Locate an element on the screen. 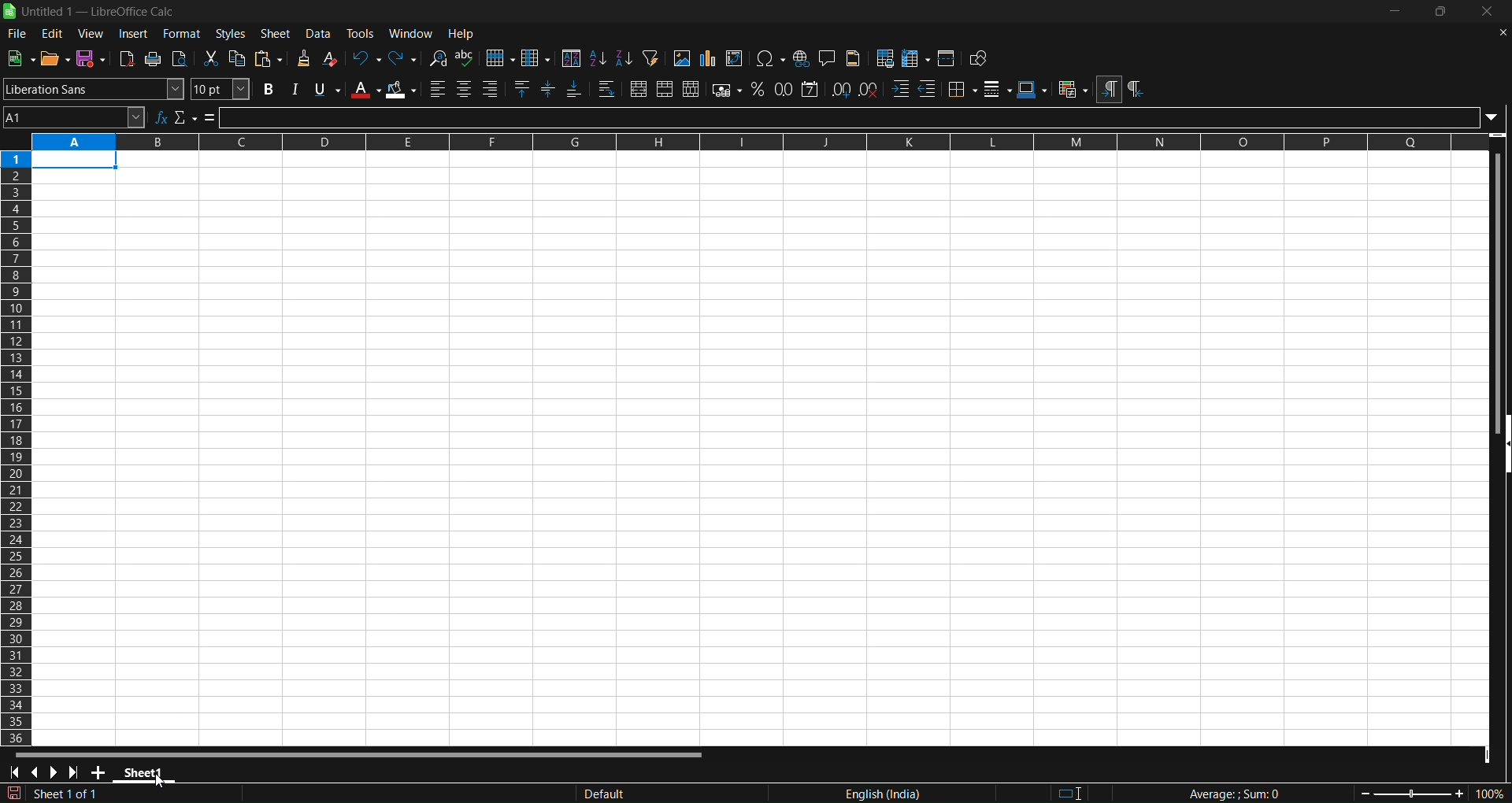 The height and width of the screenshot is (803, 1512). remove decimal place is located at coordinates (869, 88).